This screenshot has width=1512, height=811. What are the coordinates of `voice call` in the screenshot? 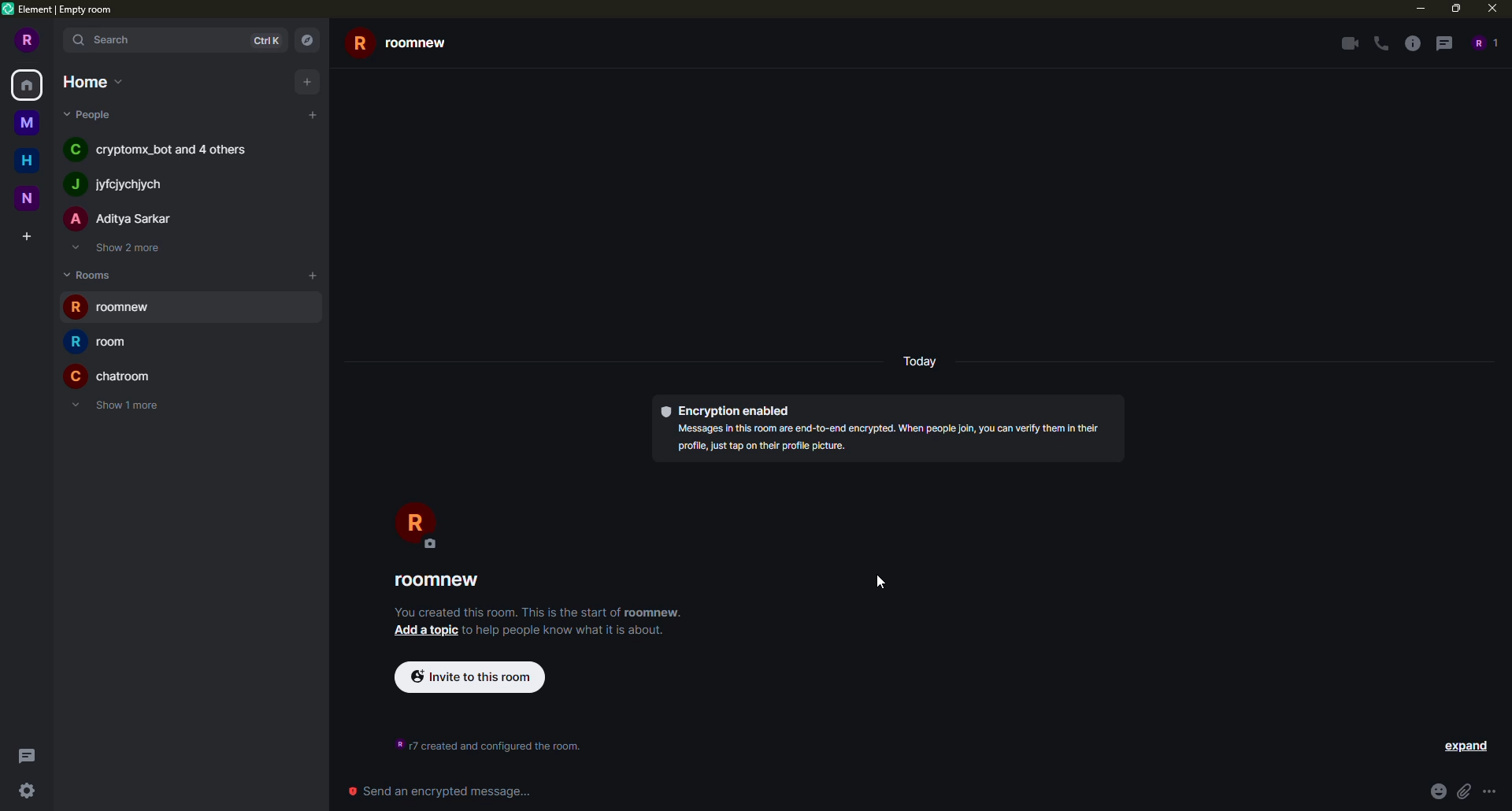 It's located at (1380, 43).